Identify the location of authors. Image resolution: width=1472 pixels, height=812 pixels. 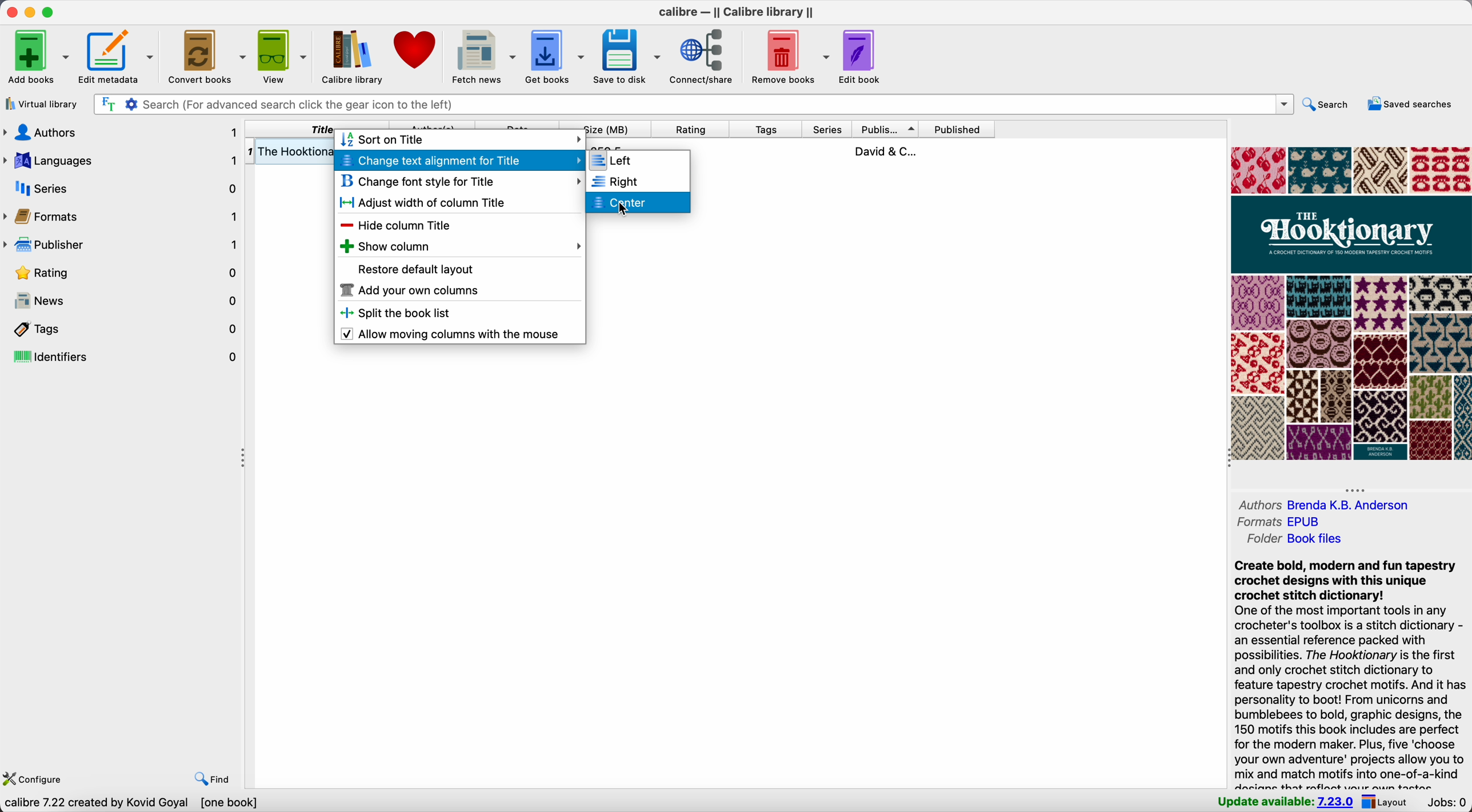
(121, 132).